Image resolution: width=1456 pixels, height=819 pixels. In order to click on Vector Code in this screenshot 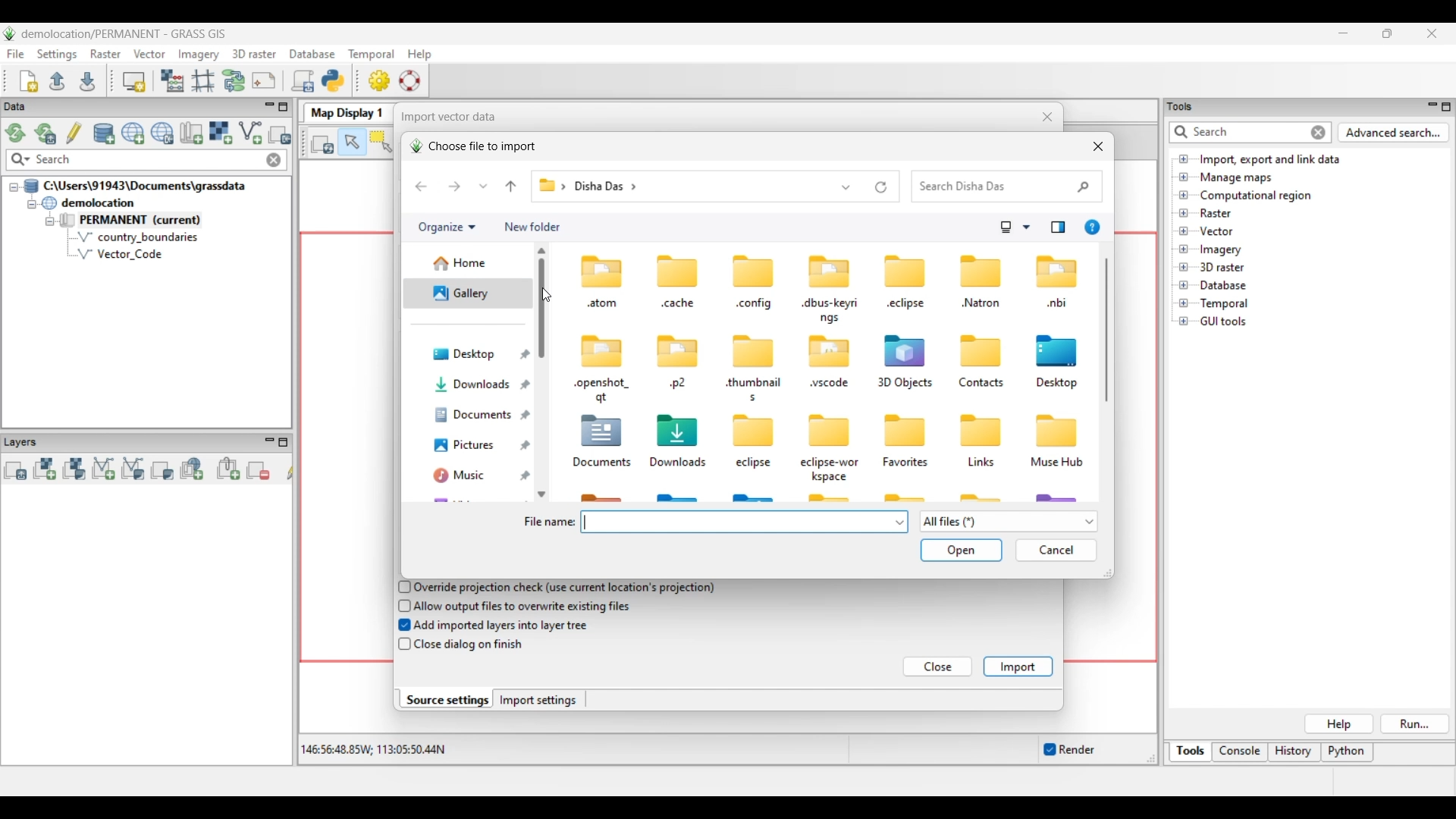, I will do `click(128, 253)`.